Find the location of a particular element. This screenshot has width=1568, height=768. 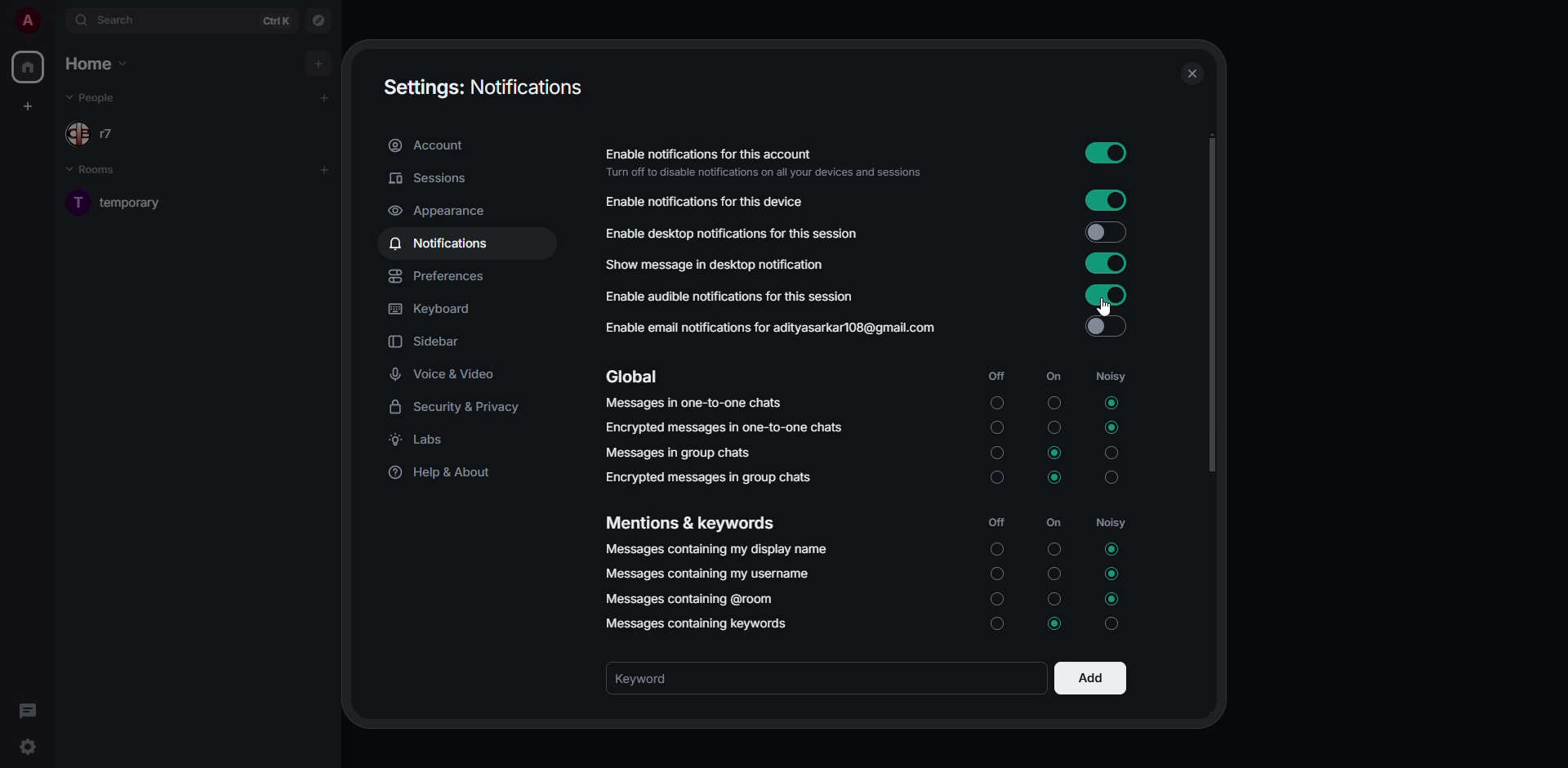

profile is located at coordinates (27, 20).